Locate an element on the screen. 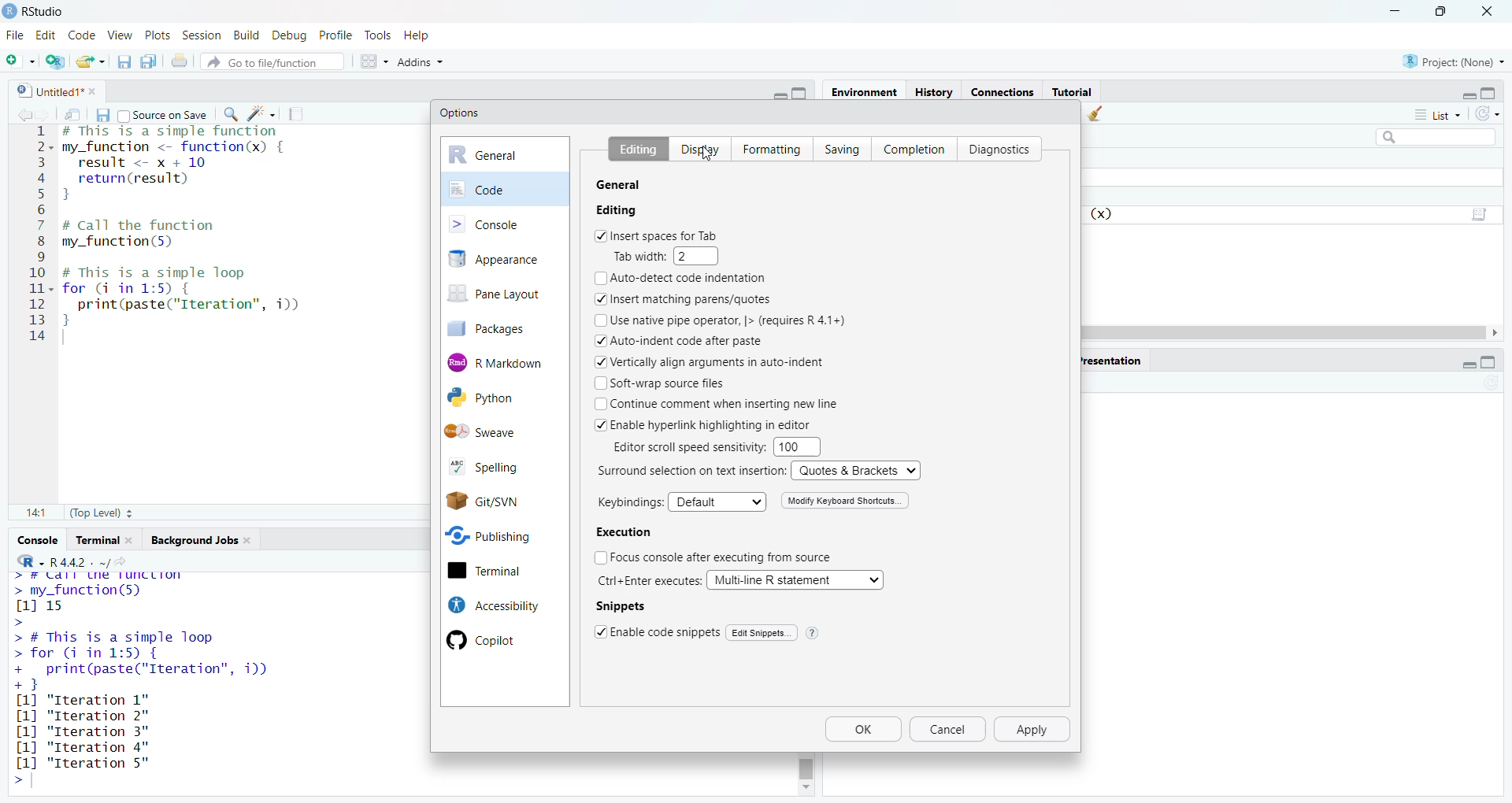 This screenshot has width=1512, height=803. Editing is located at coordinates (639, 149).